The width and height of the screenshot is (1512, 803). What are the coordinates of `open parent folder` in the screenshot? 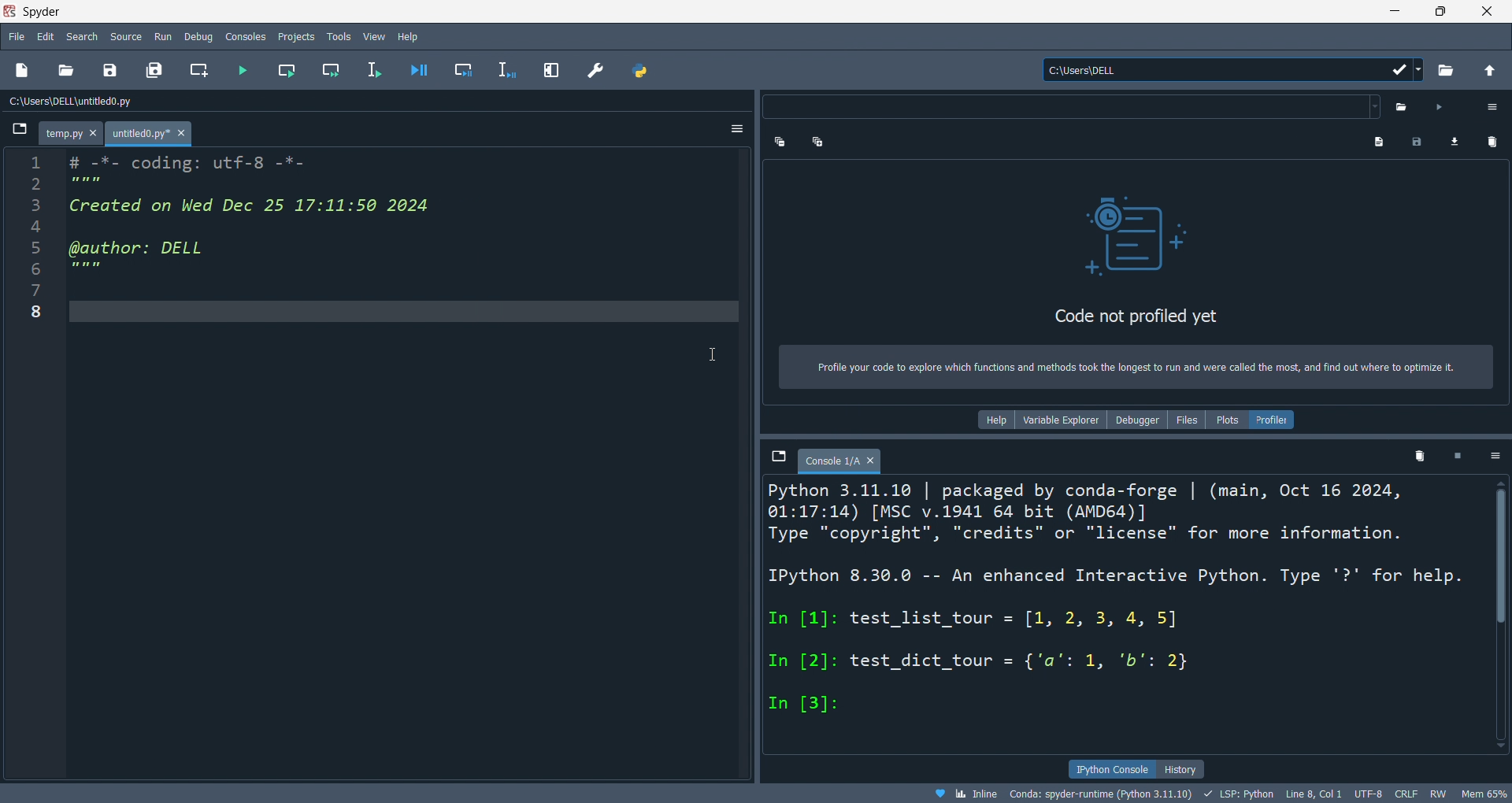 It's located at (1488, 68).